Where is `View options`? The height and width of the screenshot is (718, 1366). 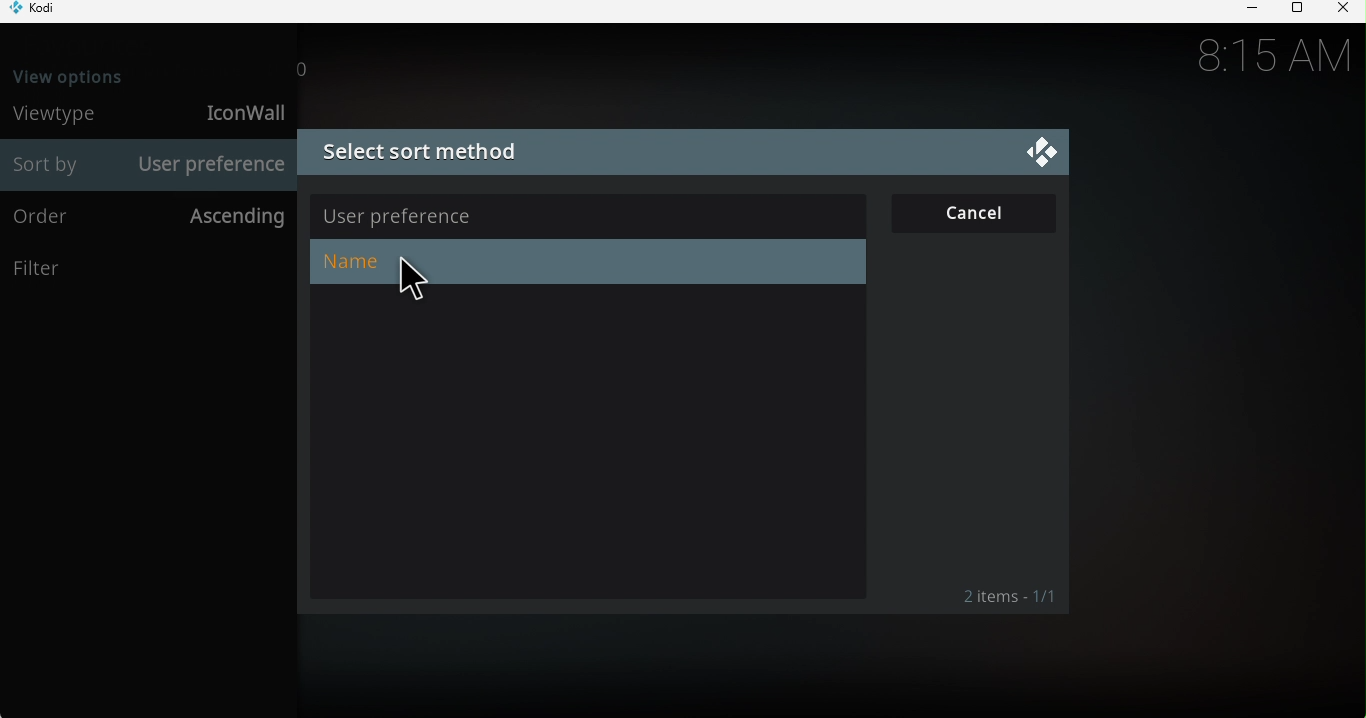 View options is located at coordinates (92, 73).